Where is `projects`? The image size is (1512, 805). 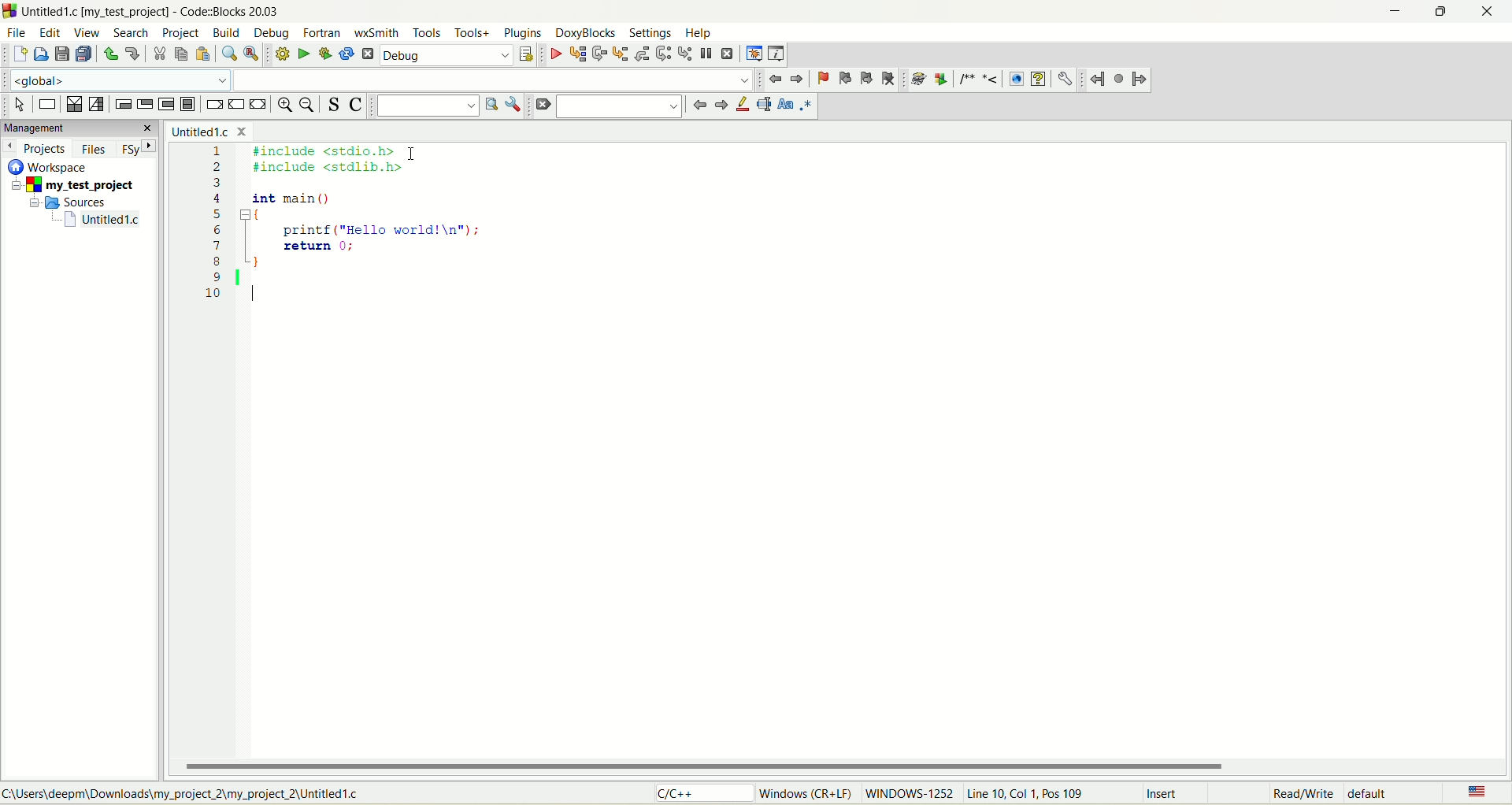 projects is located at coordinates (39, 150).